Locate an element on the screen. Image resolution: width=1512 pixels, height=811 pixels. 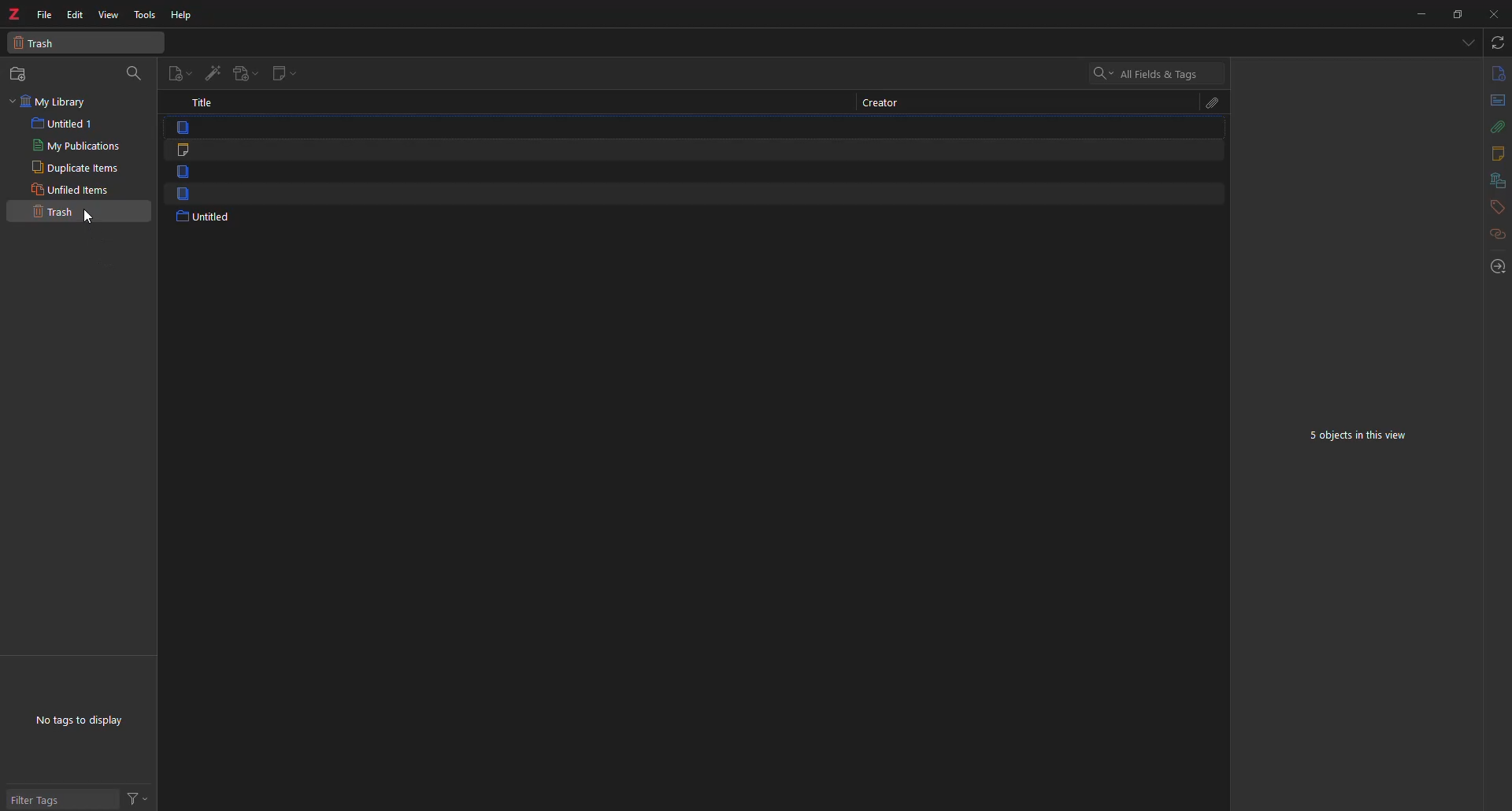
notes is located at coordinates (1495, 154).